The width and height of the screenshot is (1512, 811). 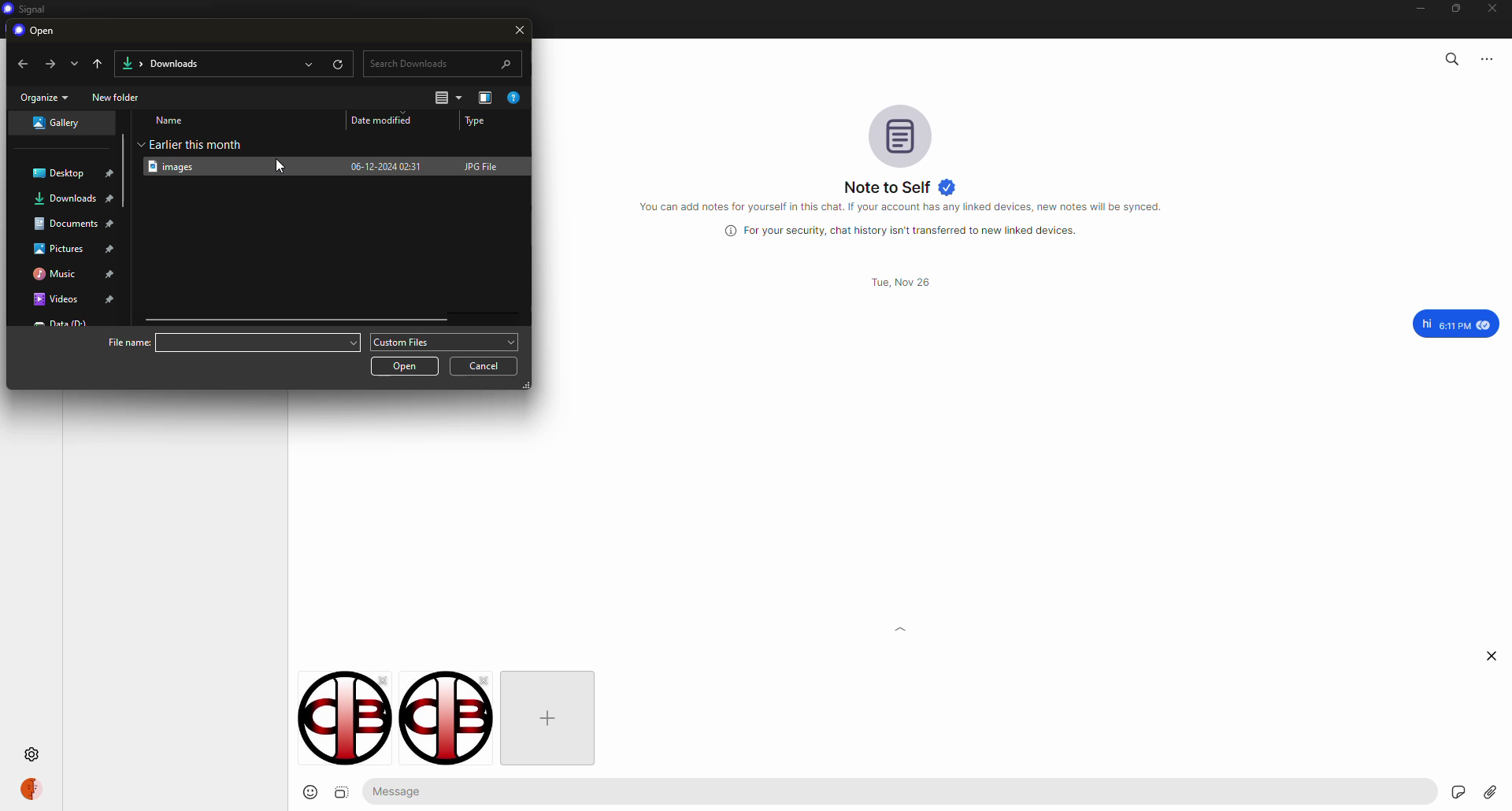 I want to click on down, so click(x=73, y=63).